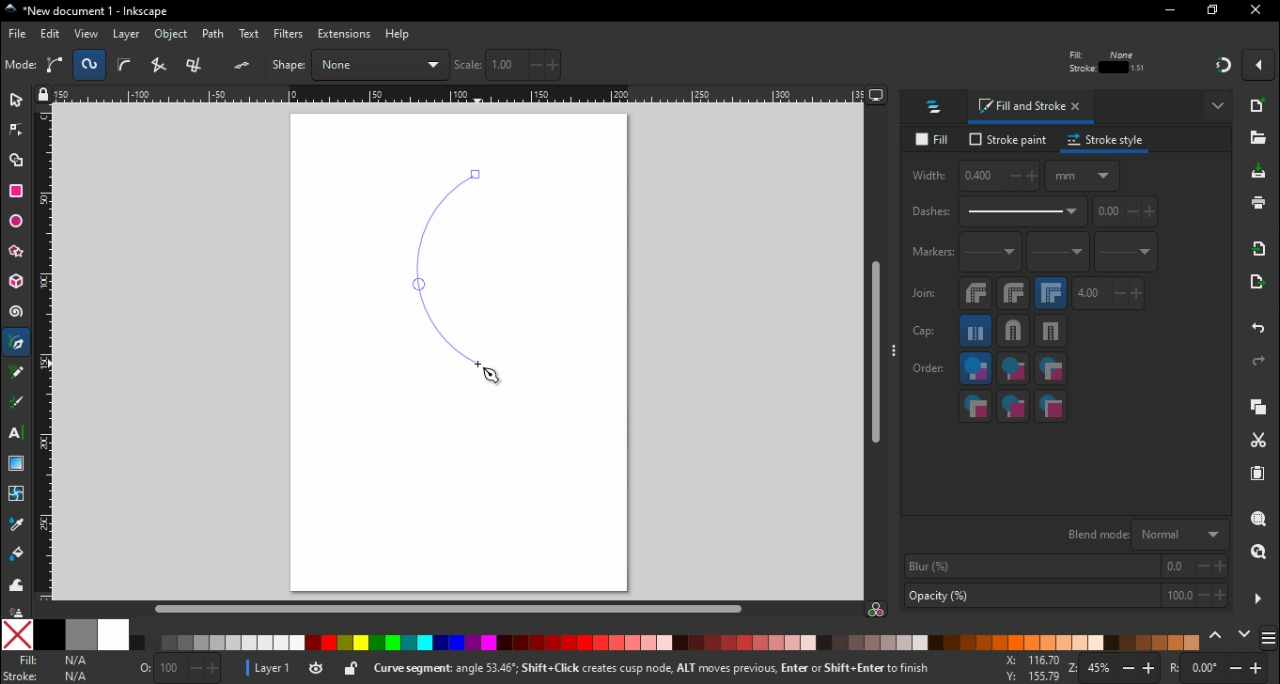  Describe the element at coordinates (16, 588) in the screenshot. I see `tweak tool` at that location.